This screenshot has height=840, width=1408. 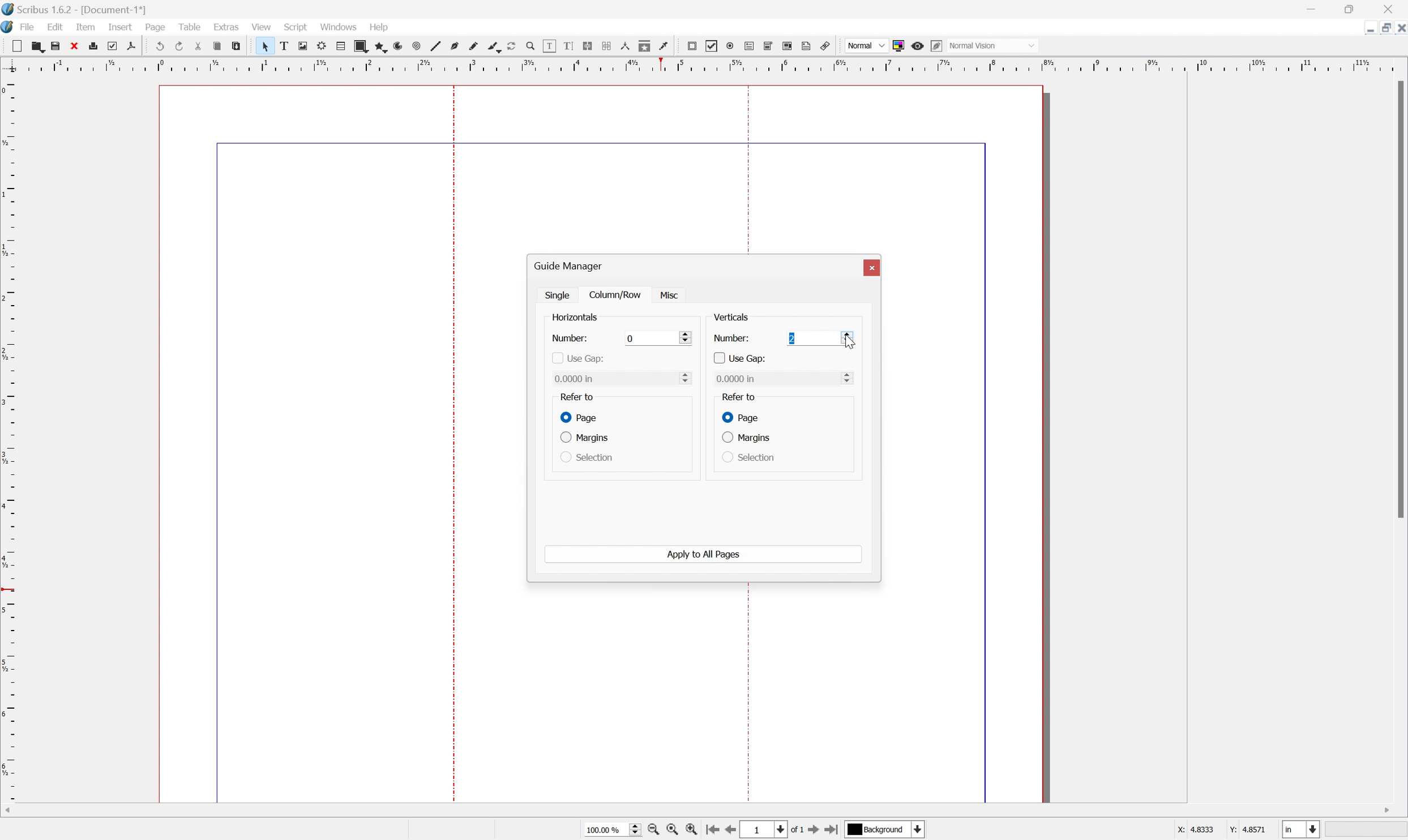 I want to click on script, so click(x=296, y=27).